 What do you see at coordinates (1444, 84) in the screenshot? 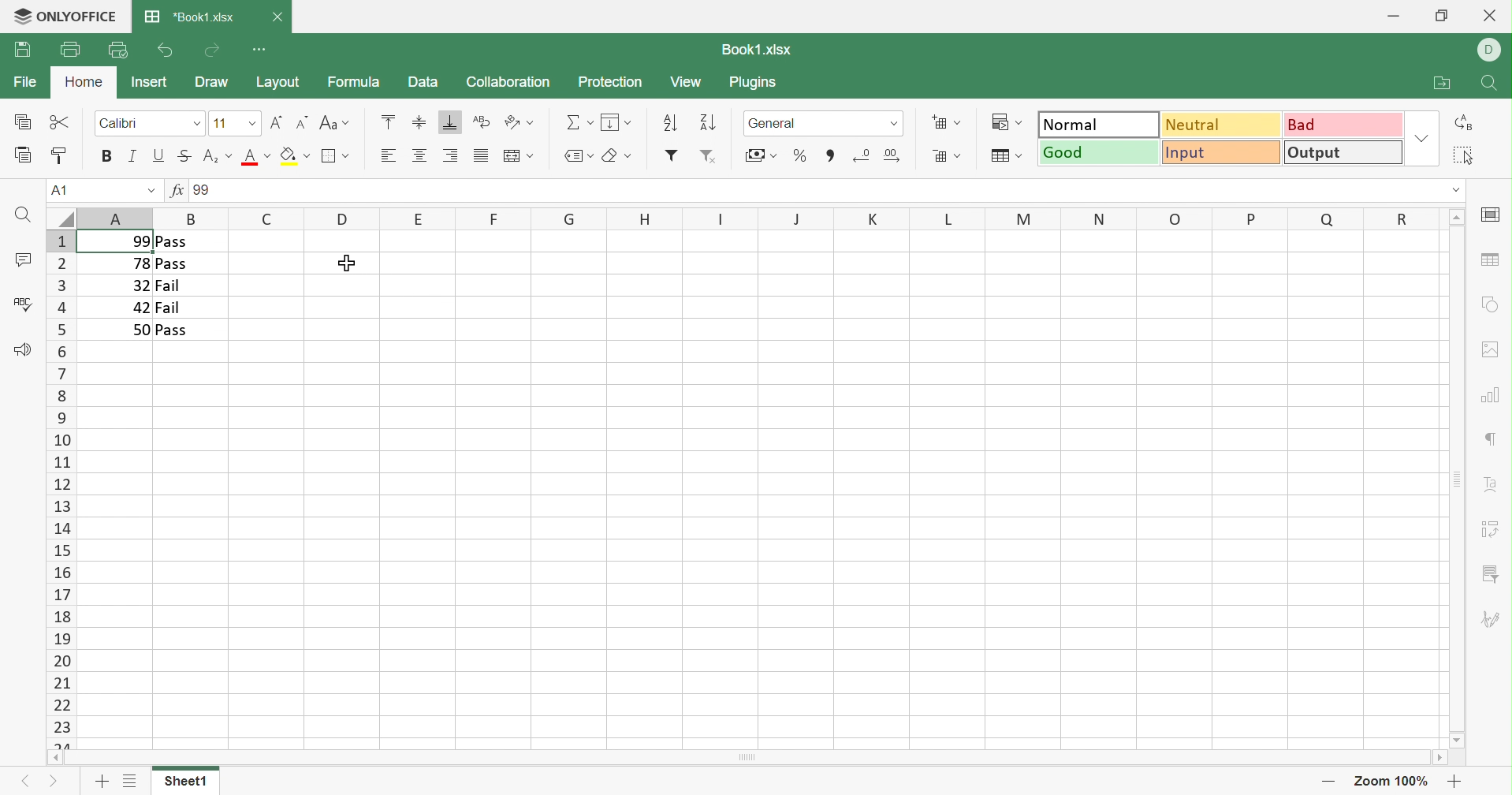
I see `Go to file location` at bounding box center [1444, 84].